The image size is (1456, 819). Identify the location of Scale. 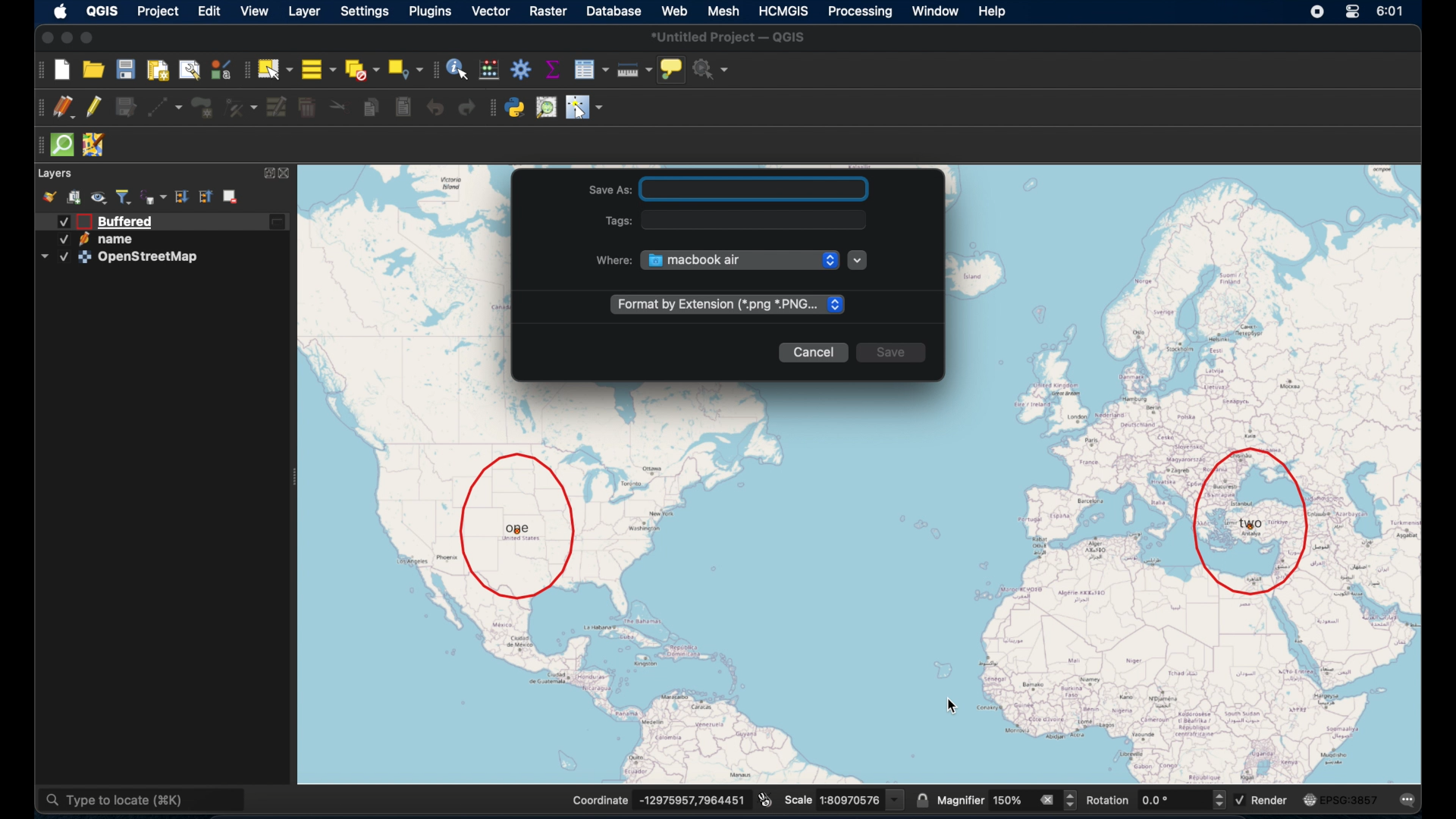
(799, 800).